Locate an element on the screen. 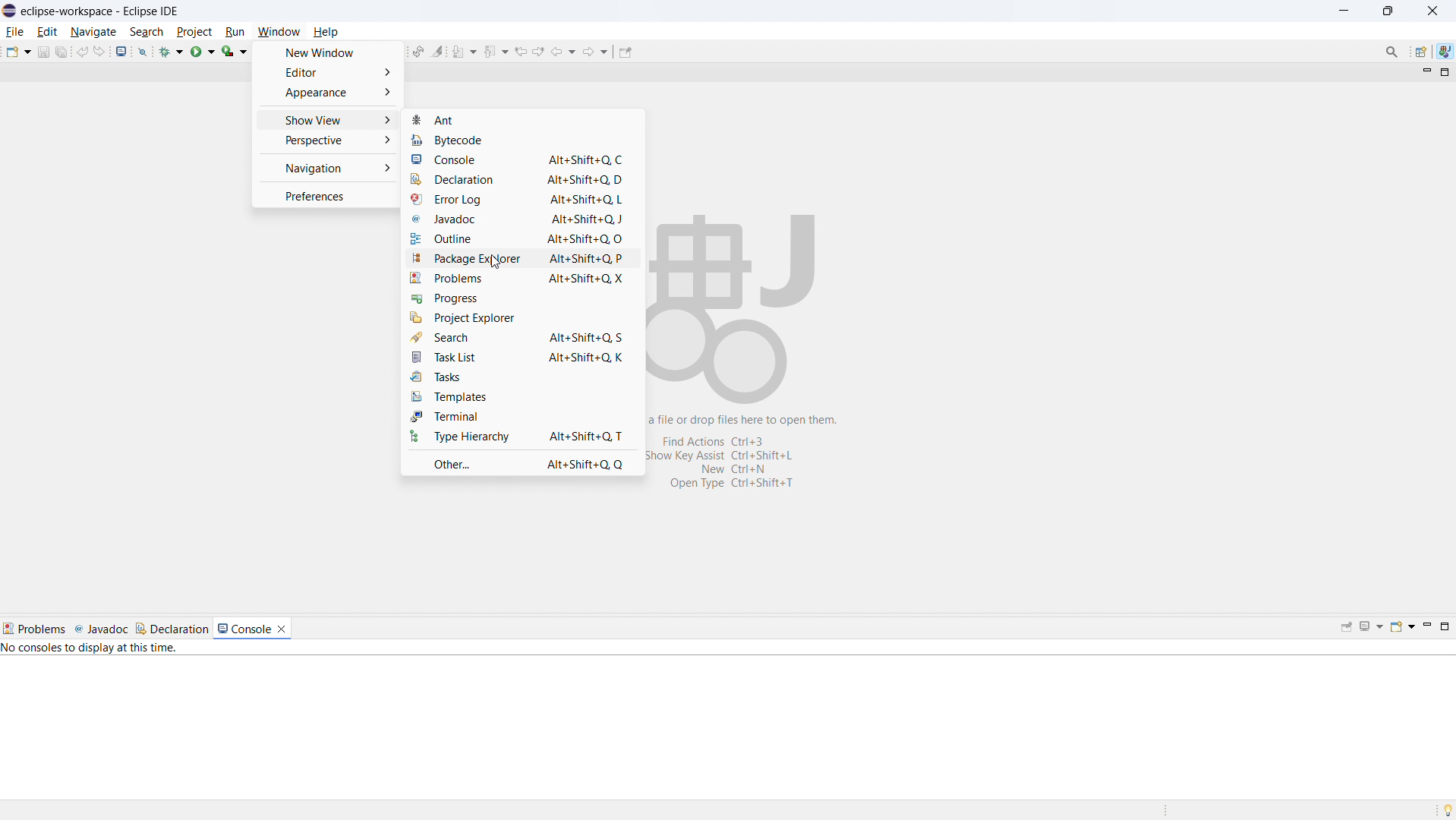 The image size is (1456, 820). logo is located at coordinates (9, 11).